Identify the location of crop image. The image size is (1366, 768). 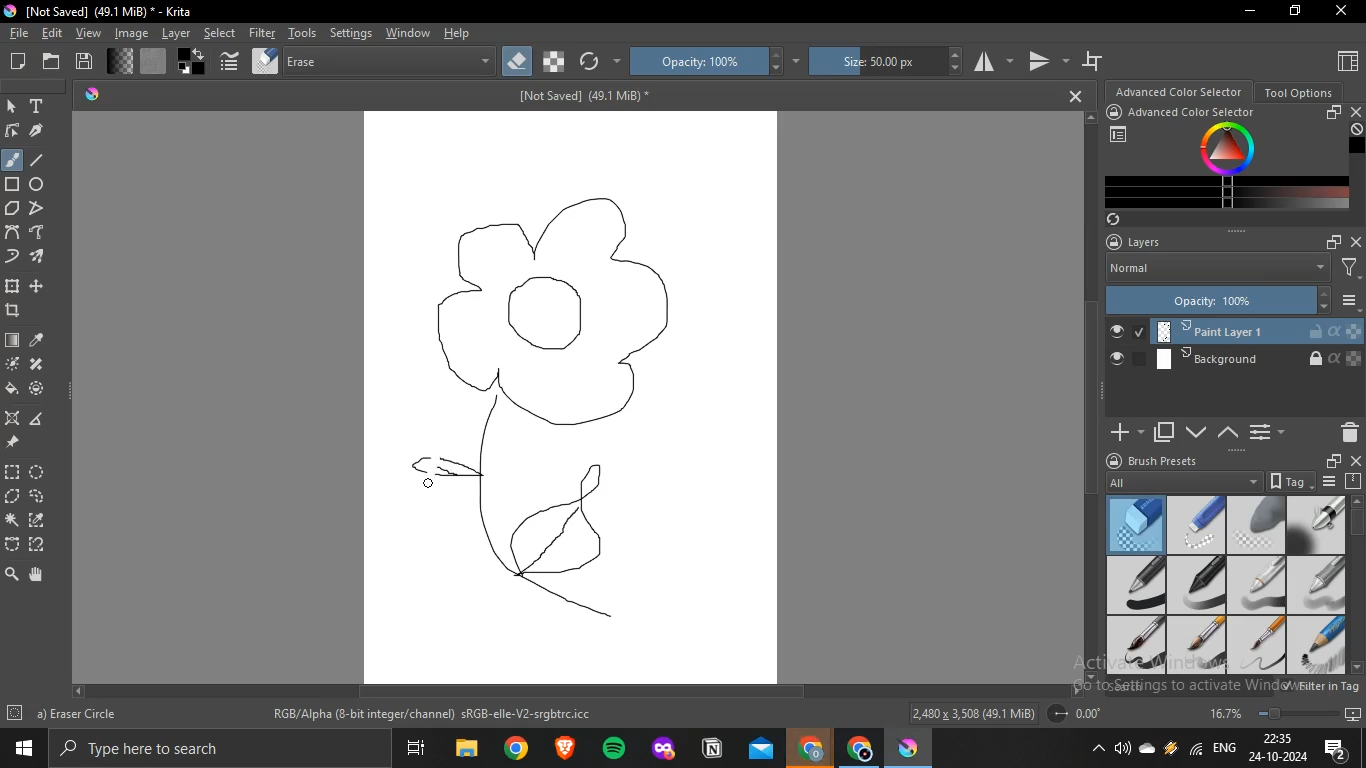
(13, 309).